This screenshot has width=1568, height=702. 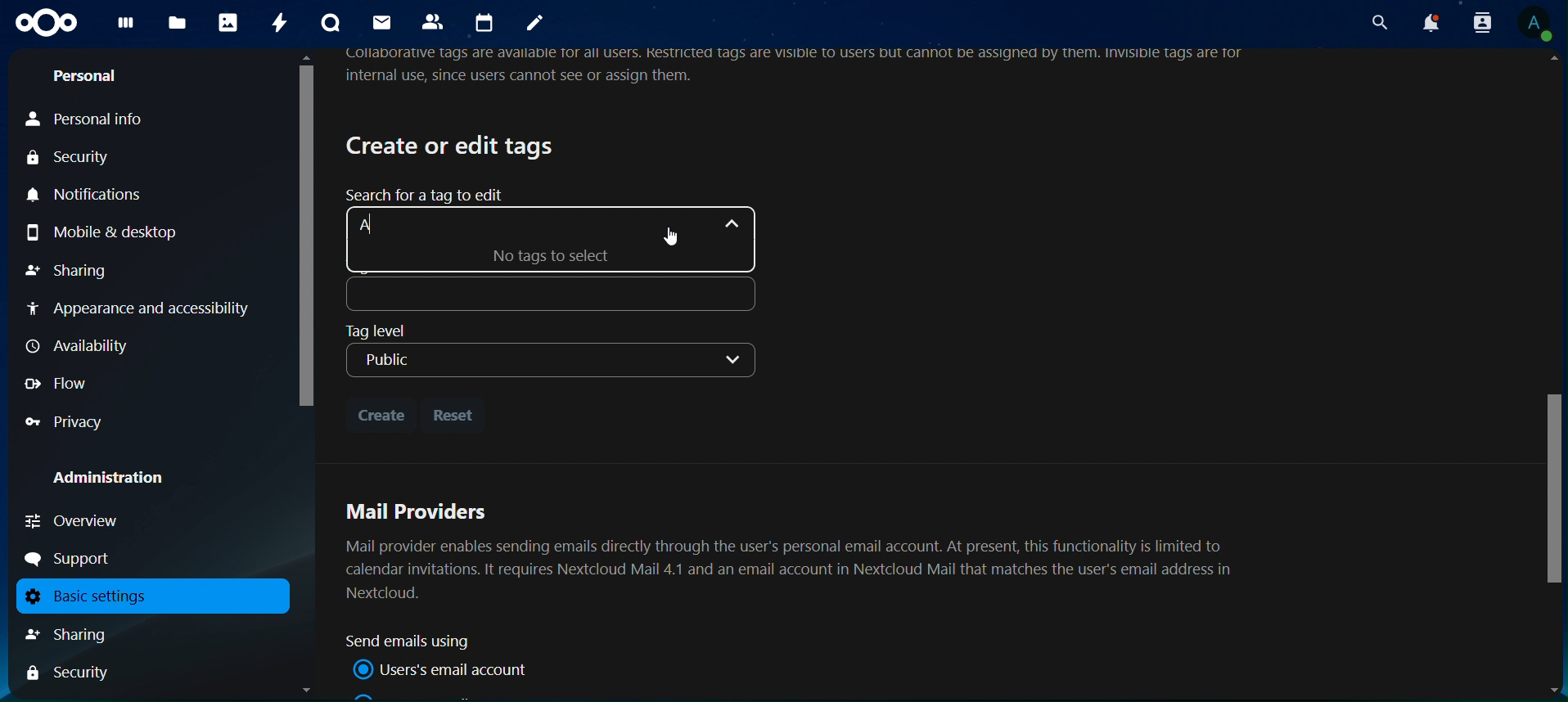 What do you see at coordinates (83, 346) in the screenshot?
I see `availability` at bounding box center [83, 346].